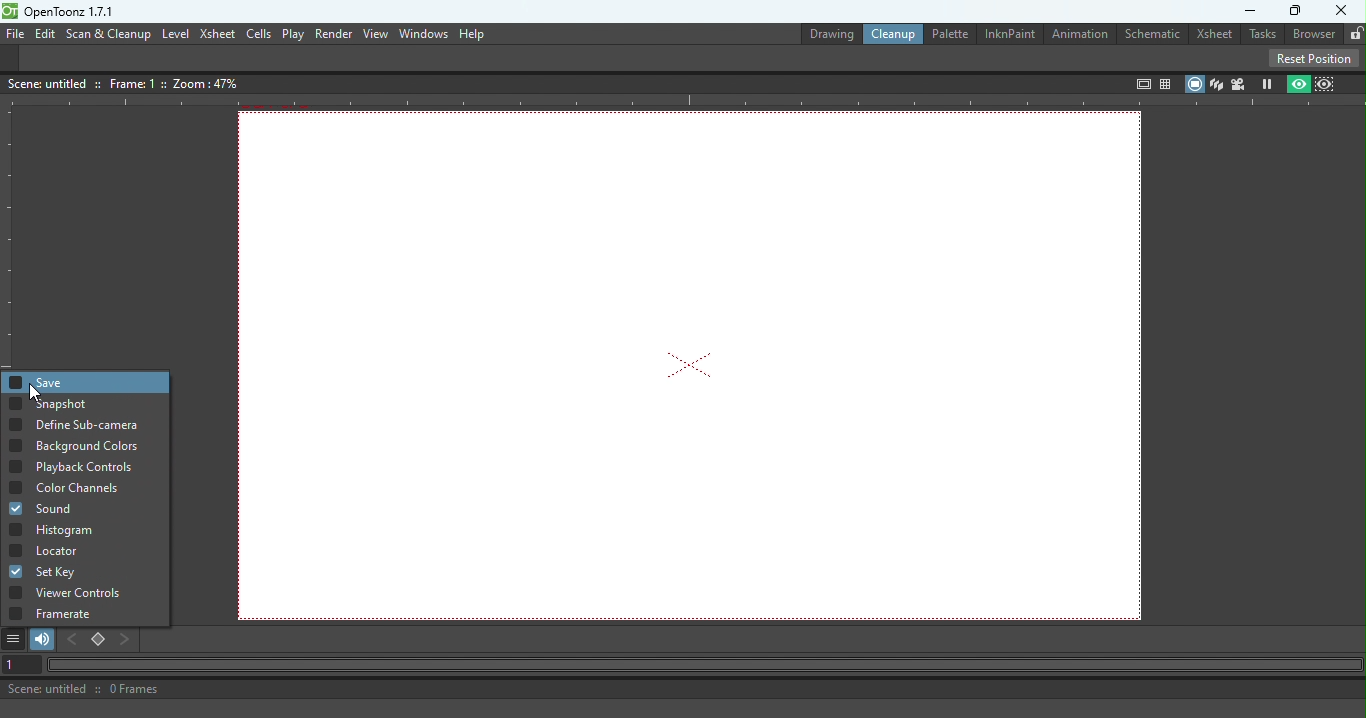 Image resolution: width=1366 pixels, height=718 pixels. I want to click on Window, so click(421, 34).